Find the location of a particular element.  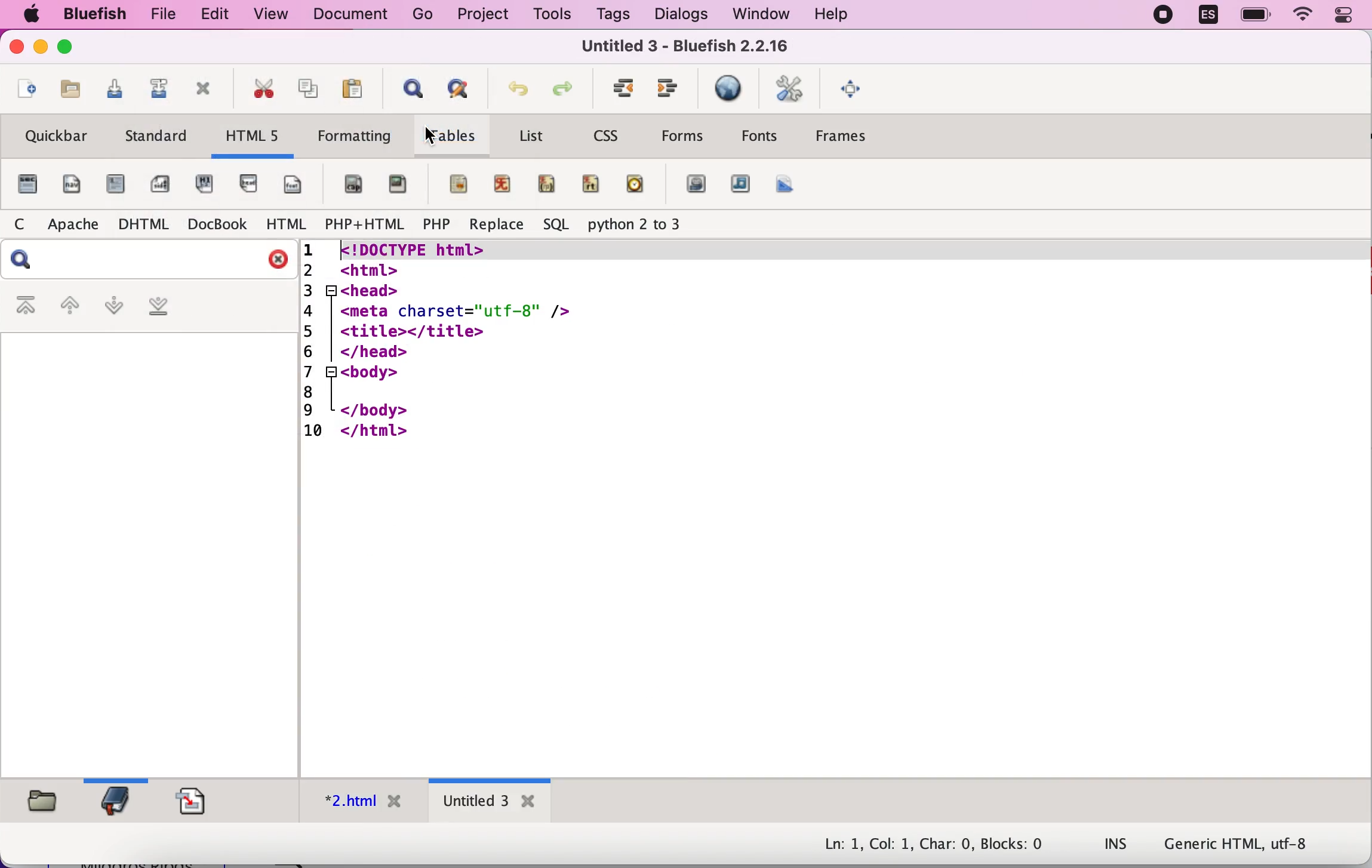

view is located at coordinates (265, 15).